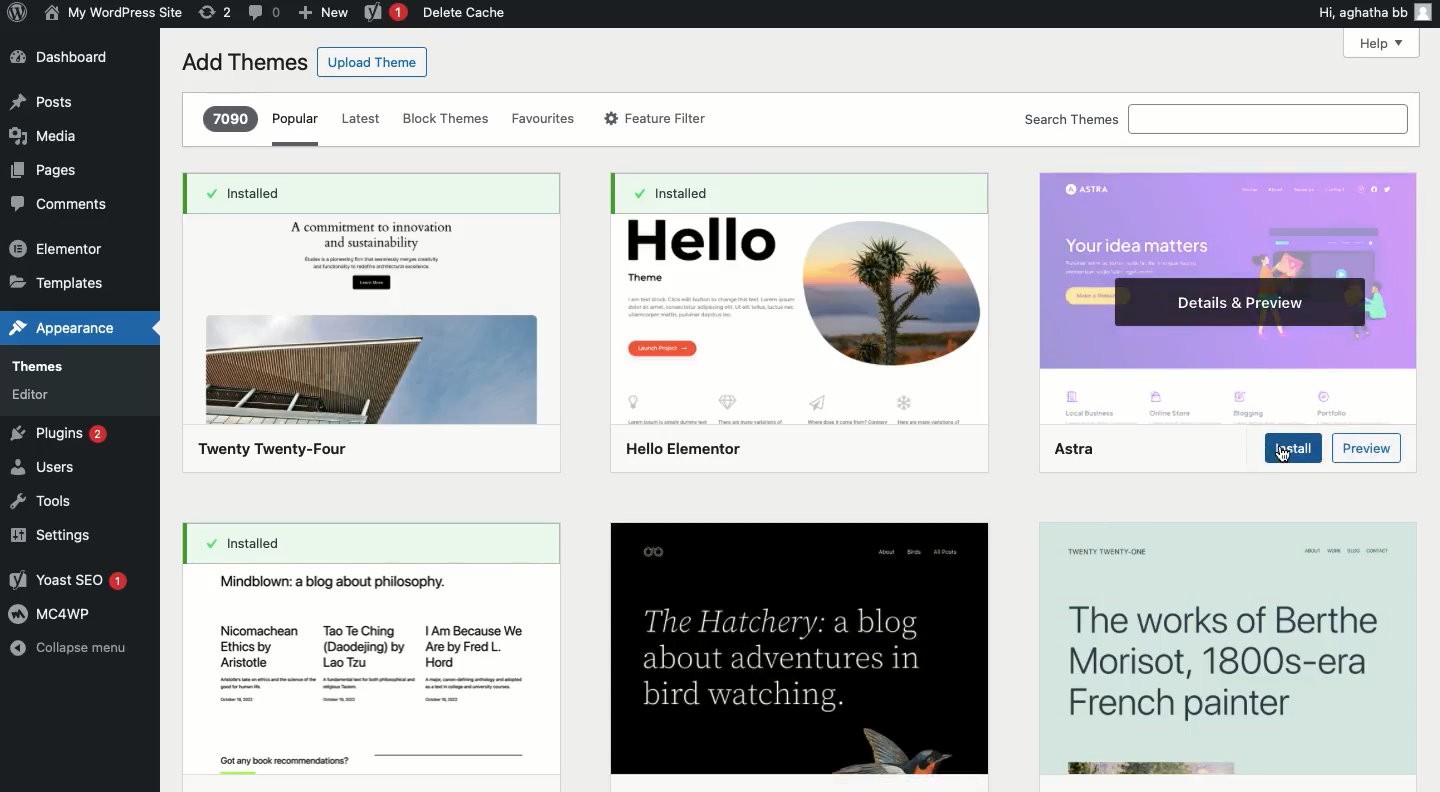 This screenshot has width=1440, height=792. What do you see at coordinates (658, 118) in the screenshot?
I see `Feature filter` at bounding box center [658, 118].